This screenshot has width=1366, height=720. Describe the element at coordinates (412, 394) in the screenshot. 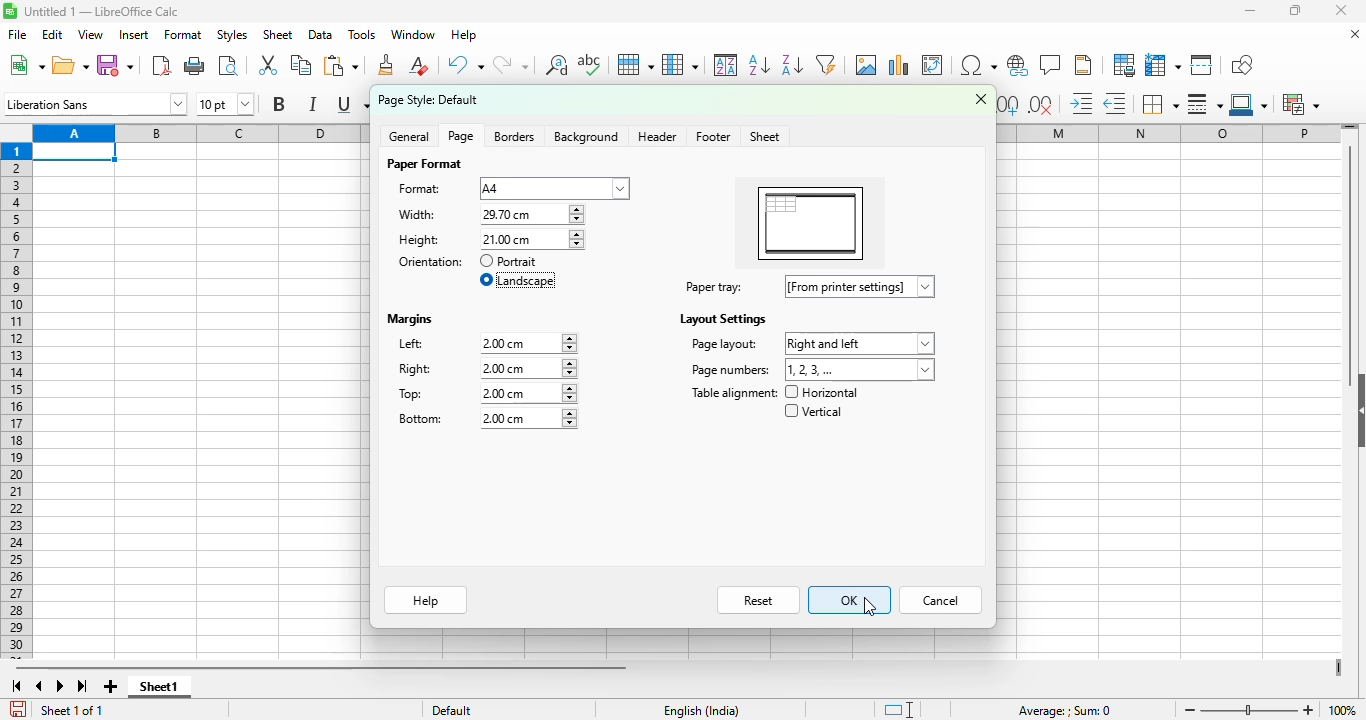

I see `top: ` at that location.